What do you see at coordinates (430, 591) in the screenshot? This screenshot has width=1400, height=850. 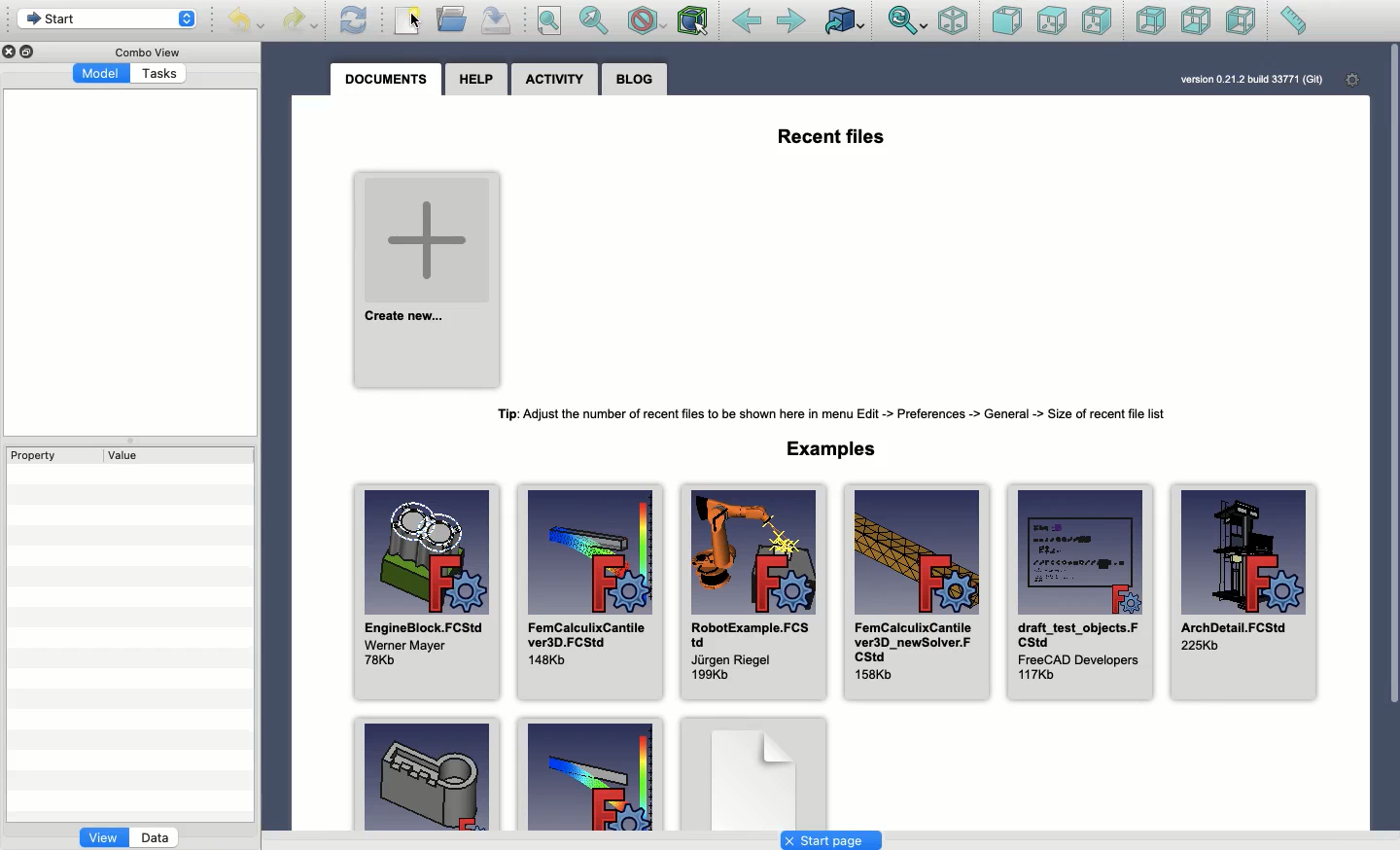 I see `EngineBlock` at bounding box center [430, 591].